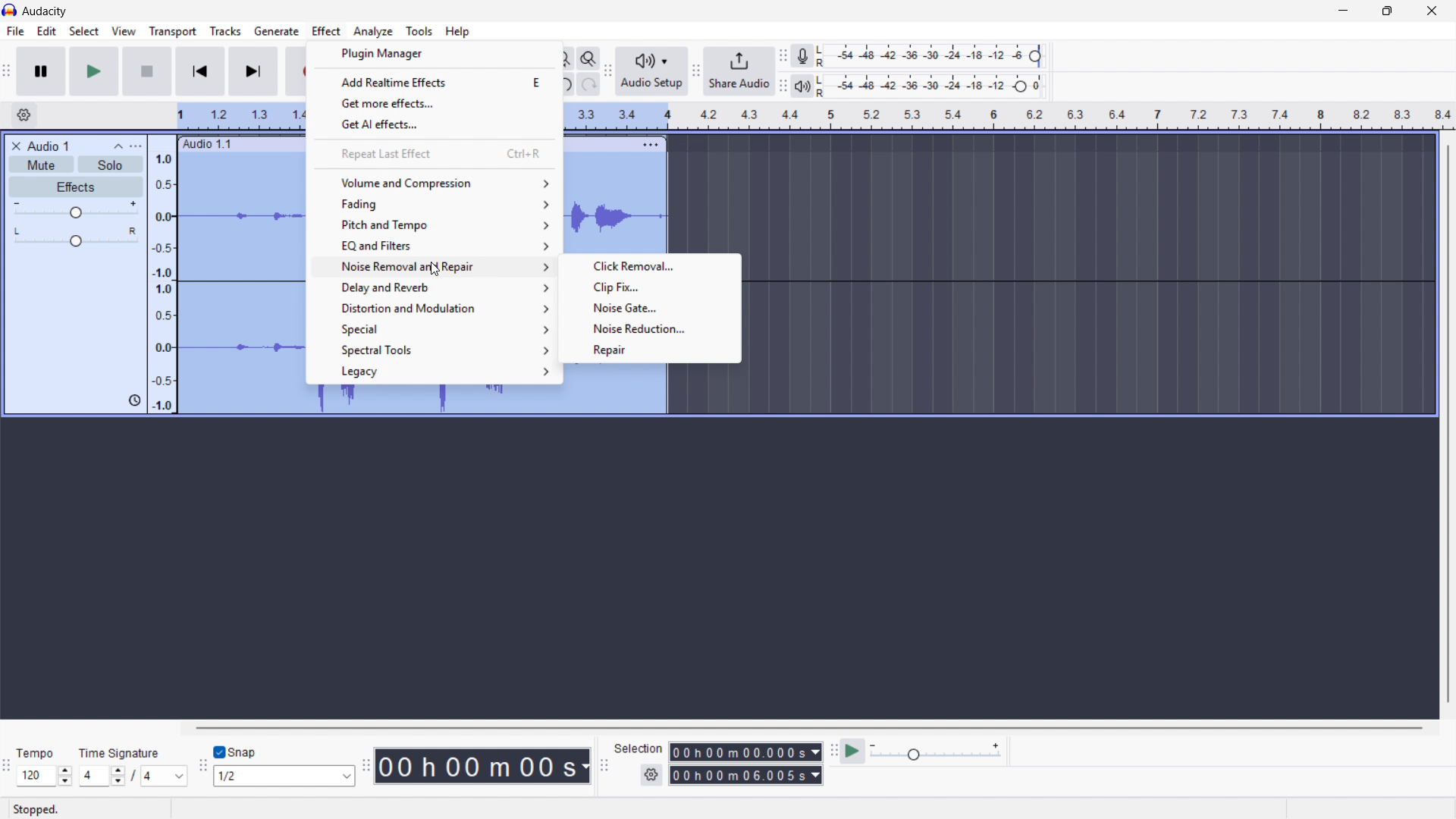 The image size is (1456, 819). What do you see at coordinates (236, 753) in the screenshot?
I see `Toggle snap` at bounding box center [236, 753].